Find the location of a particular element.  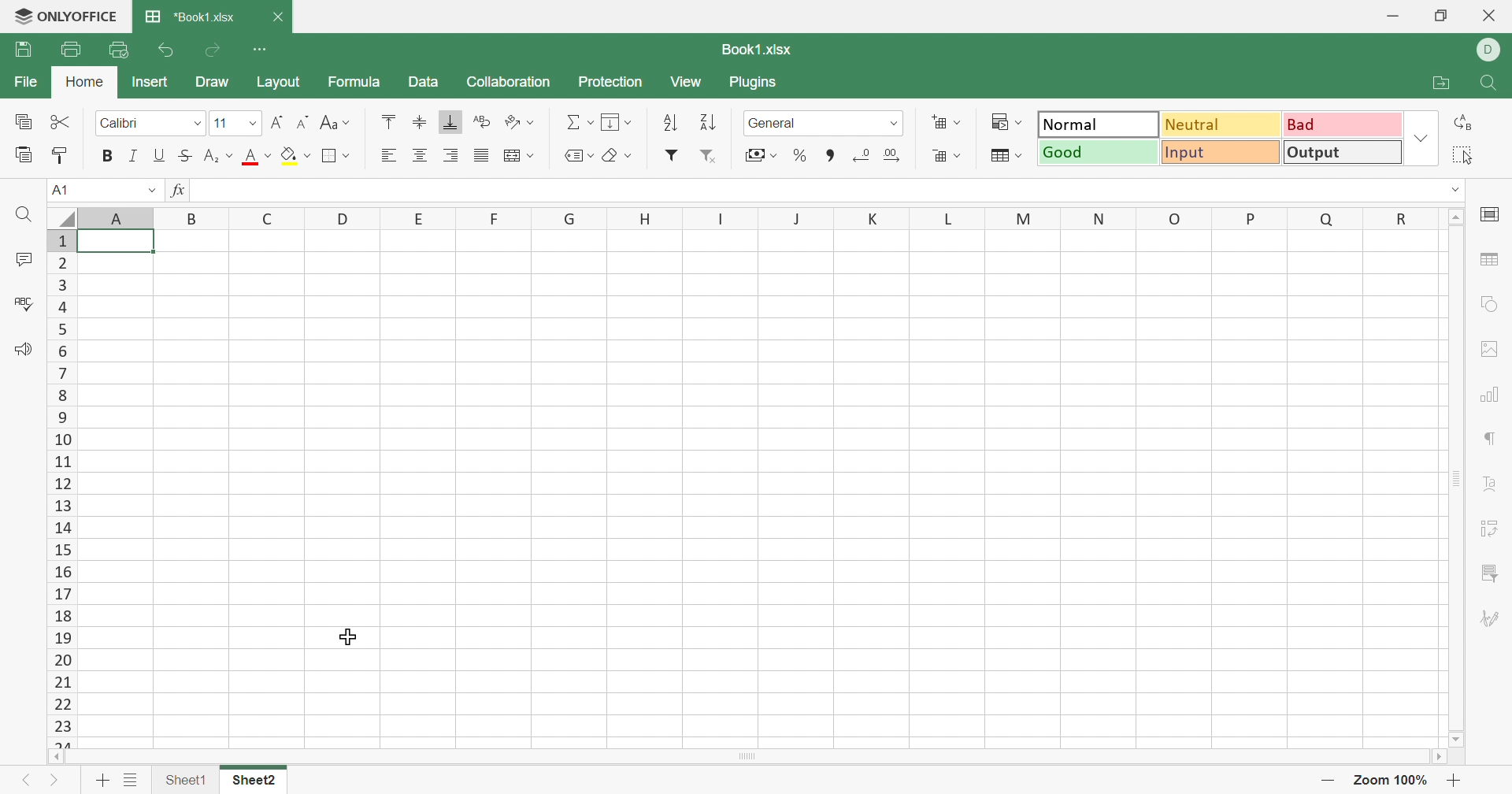

File is located at coordinates (24, 80).